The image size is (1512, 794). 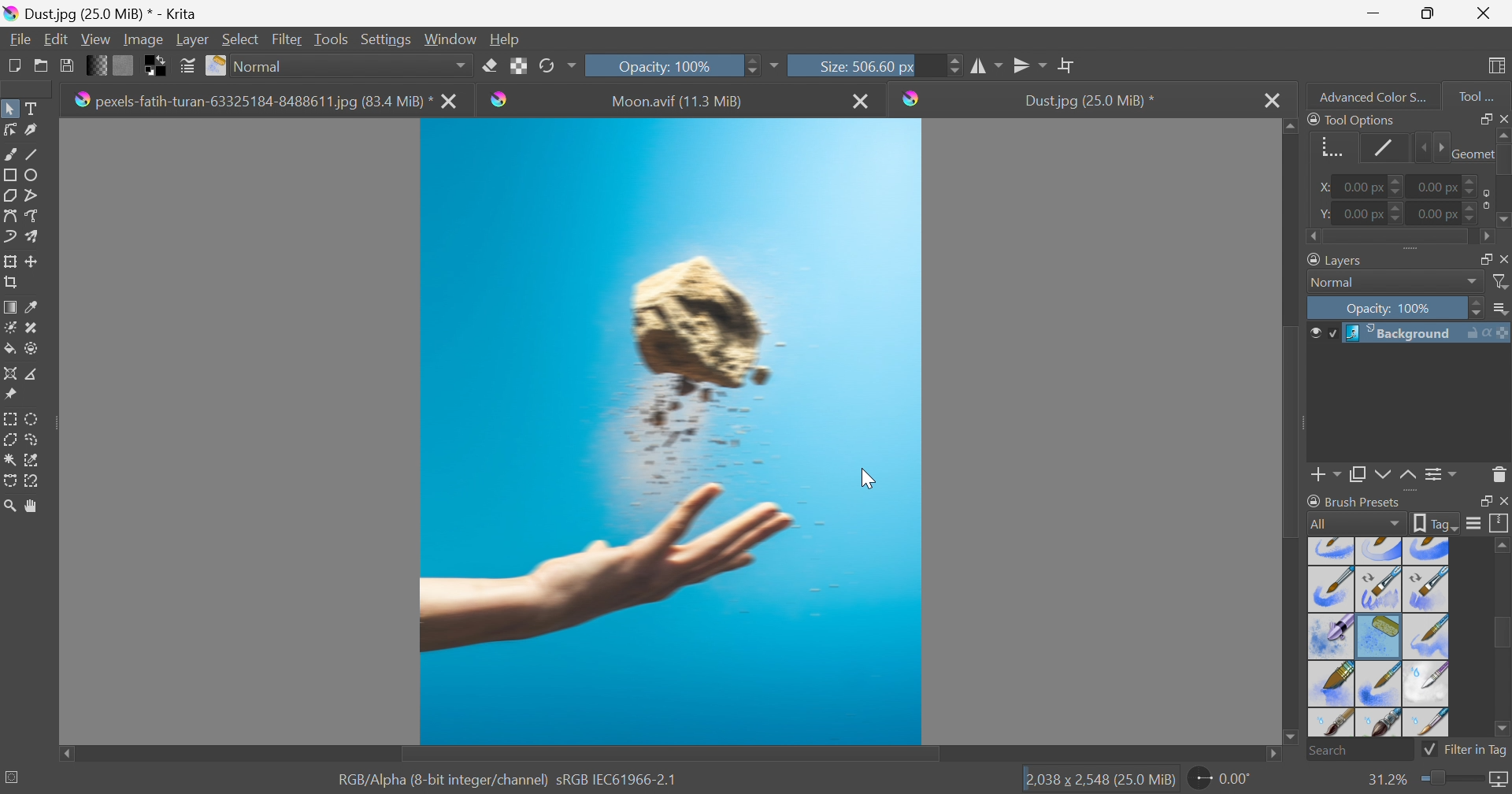 I want to click on Close, so click(x=862, y=100).